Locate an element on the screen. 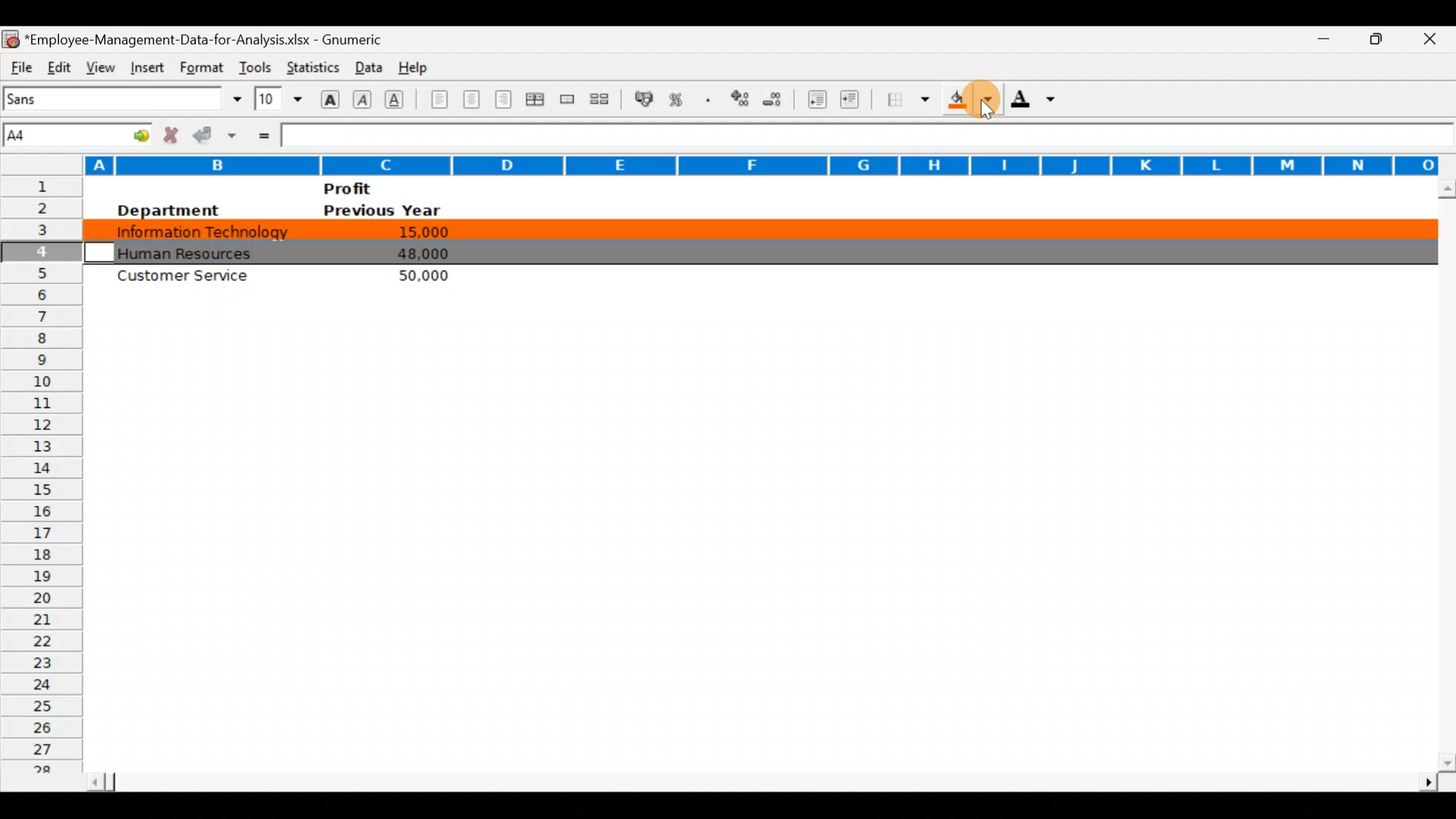  Previous year is located at coordinates (382, 211).